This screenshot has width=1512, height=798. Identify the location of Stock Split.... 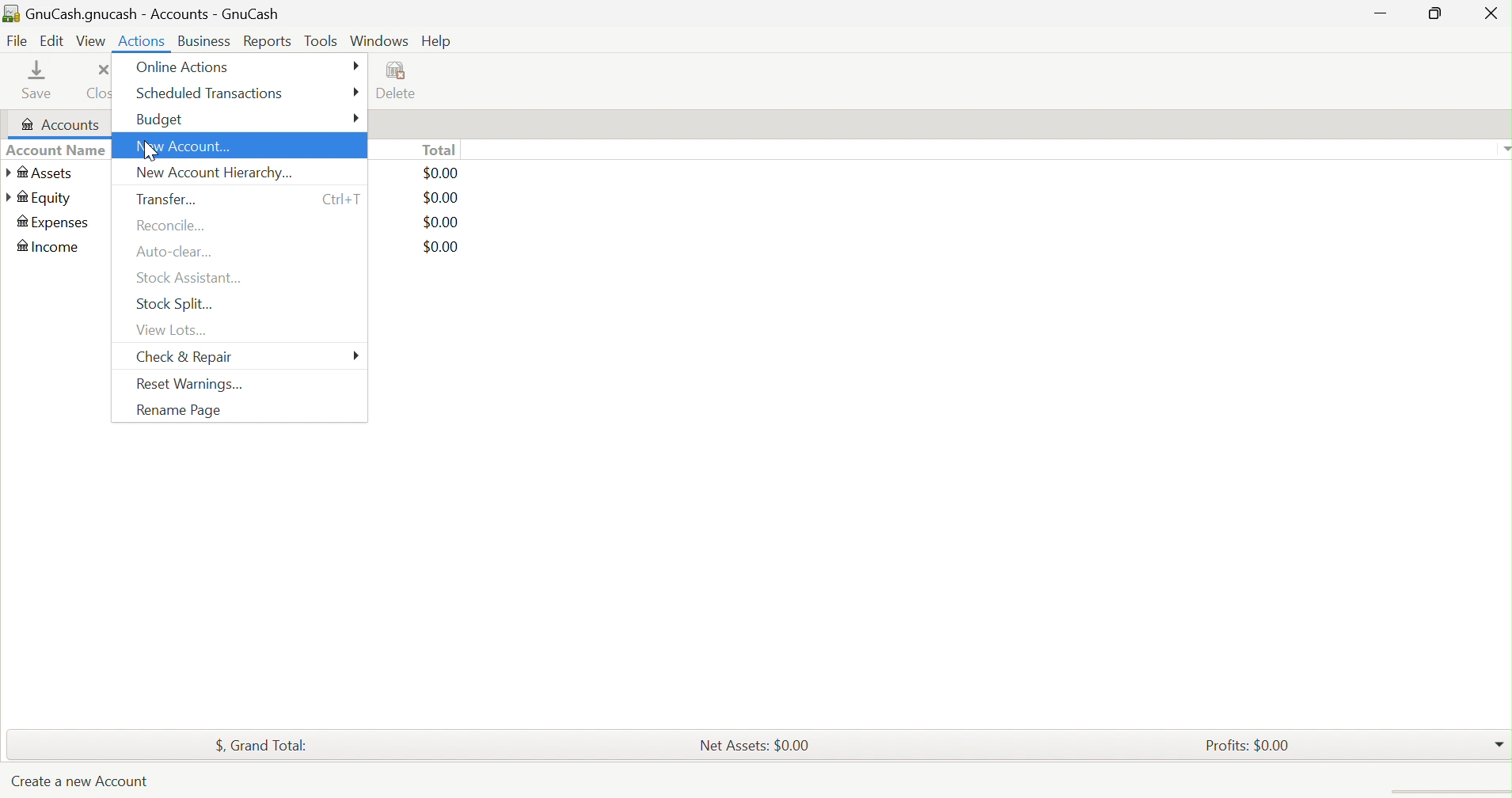
(177, 304).